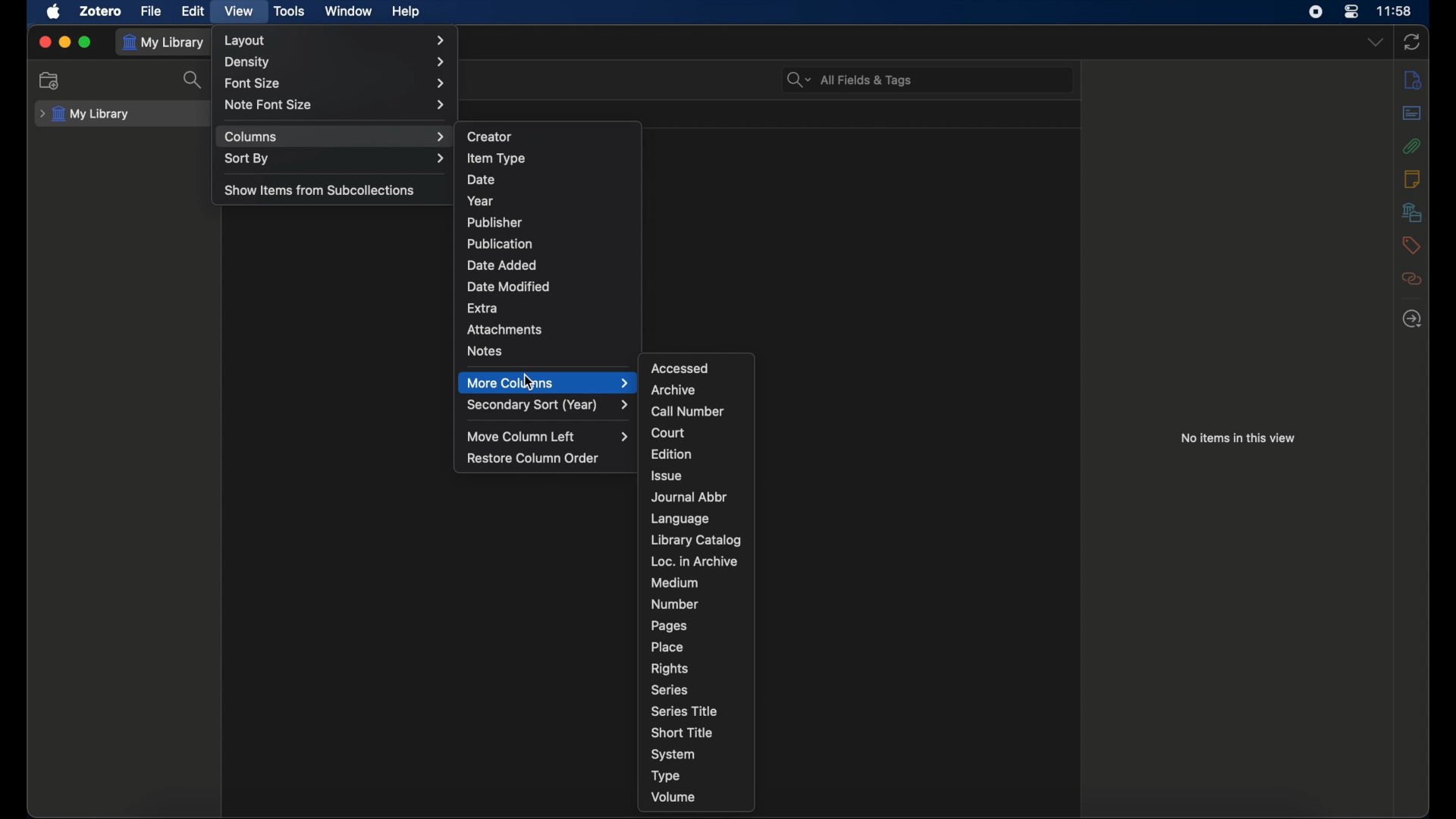  What do you see at coordinates (484, 351) in the screenshot?
I see `notes` at bounding box center [484, 351].